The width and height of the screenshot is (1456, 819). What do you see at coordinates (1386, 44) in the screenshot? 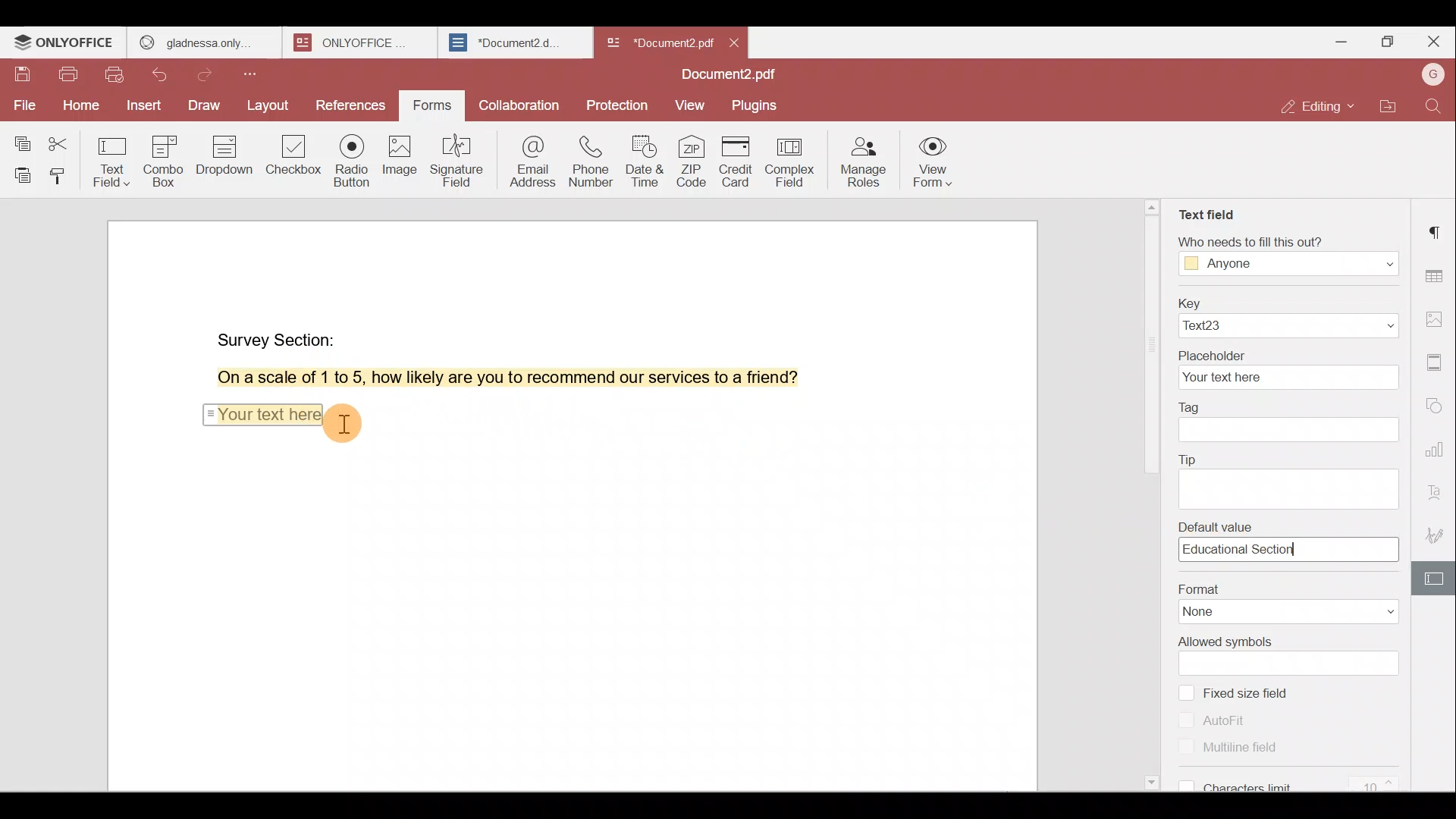
I see `Maximize` at bounding box center [1386, 44].